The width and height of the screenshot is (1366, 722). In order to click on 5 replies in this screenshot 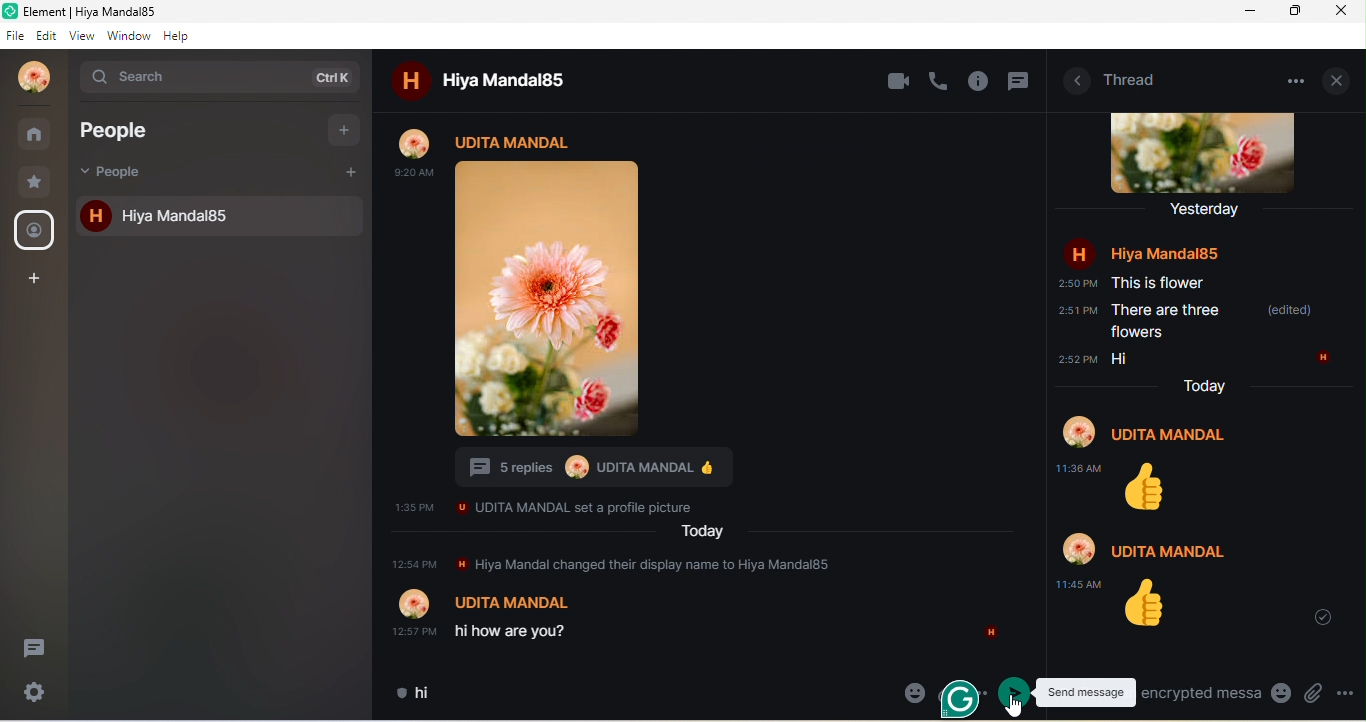, I will do `click(510, 468)`.